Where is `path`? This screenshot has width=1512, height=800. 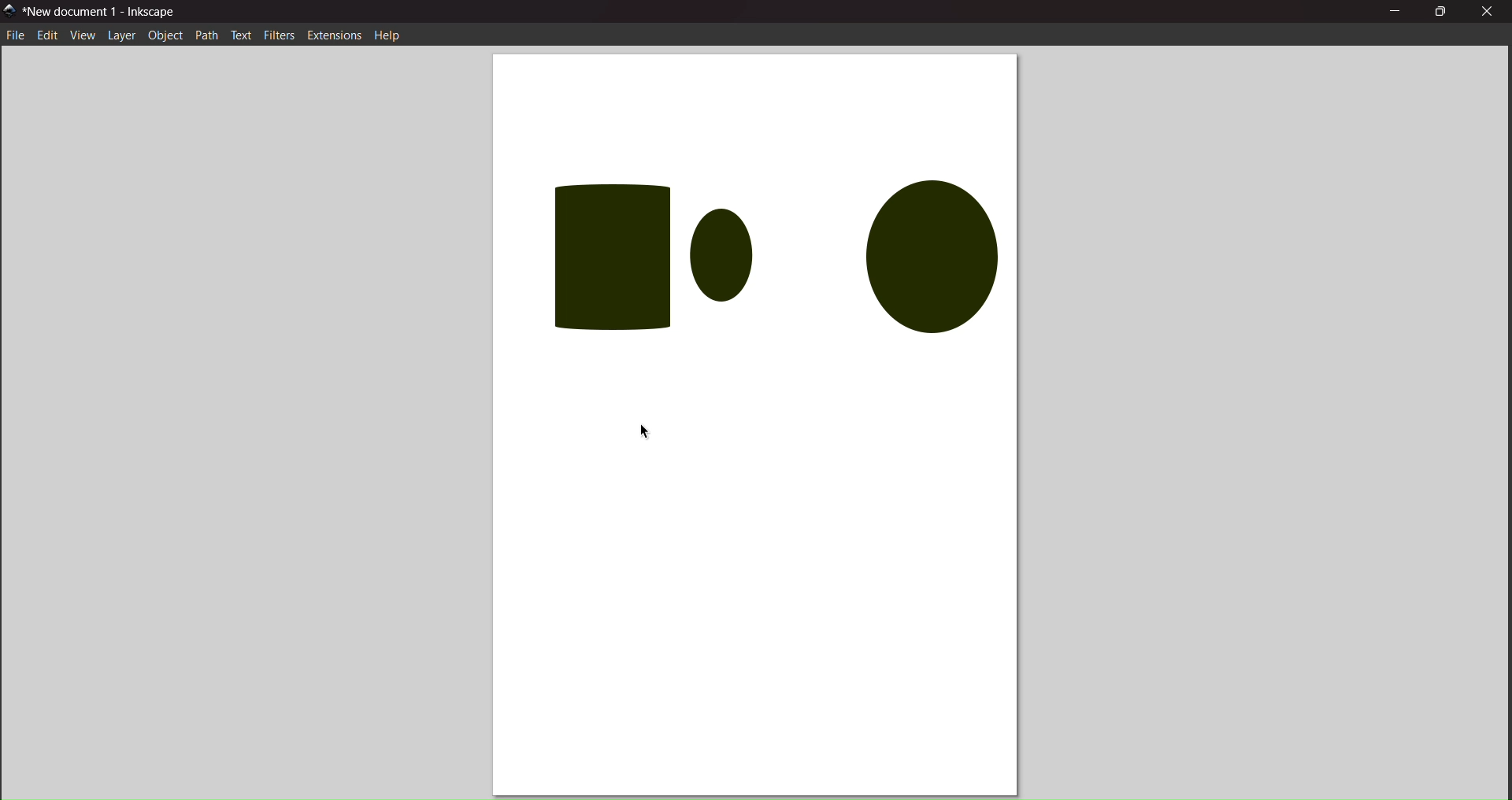
path is located at coordinates (207, 35).